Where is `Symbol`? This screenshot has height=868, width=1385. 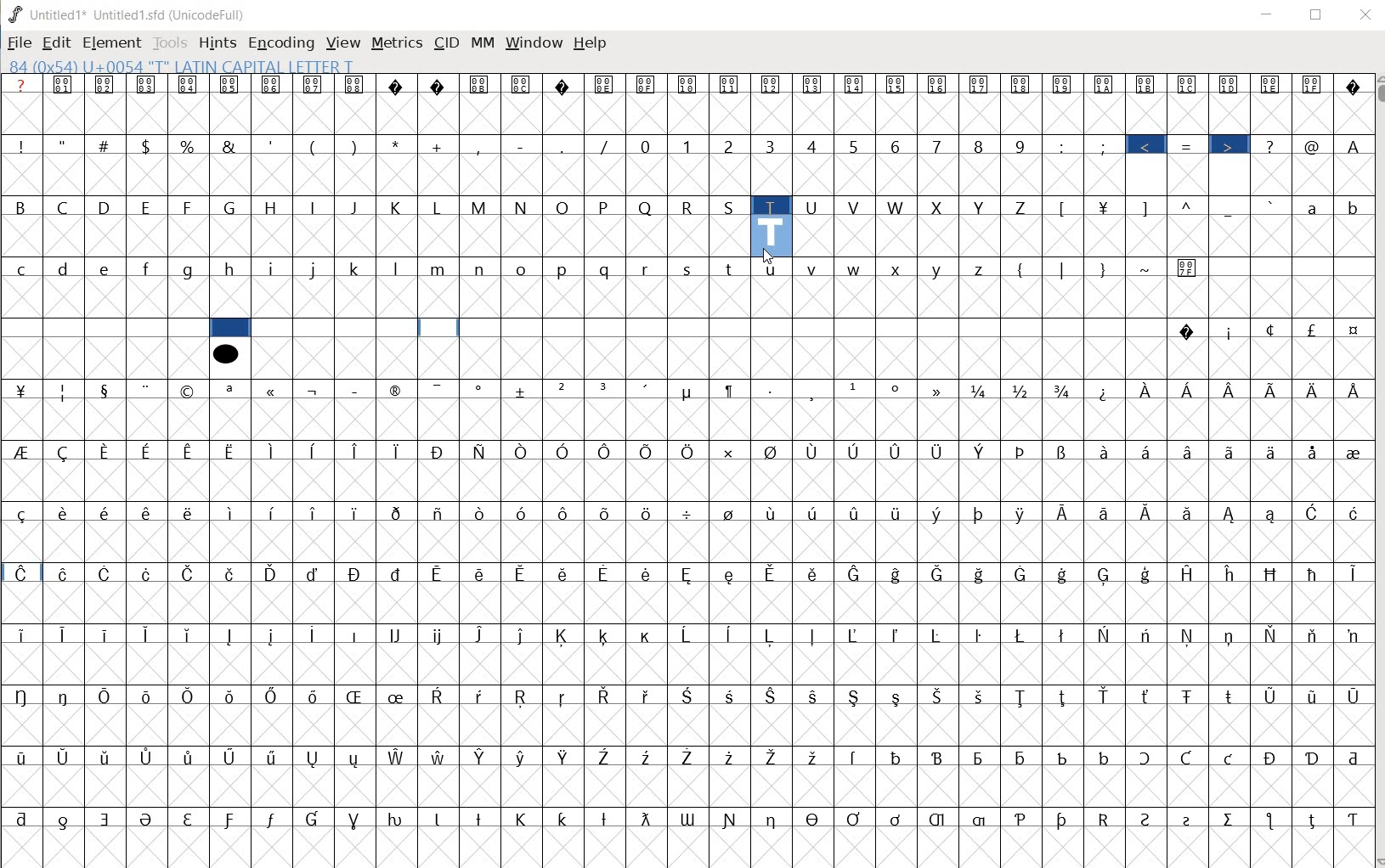 Symbol is located at coordinates (1272, 696).